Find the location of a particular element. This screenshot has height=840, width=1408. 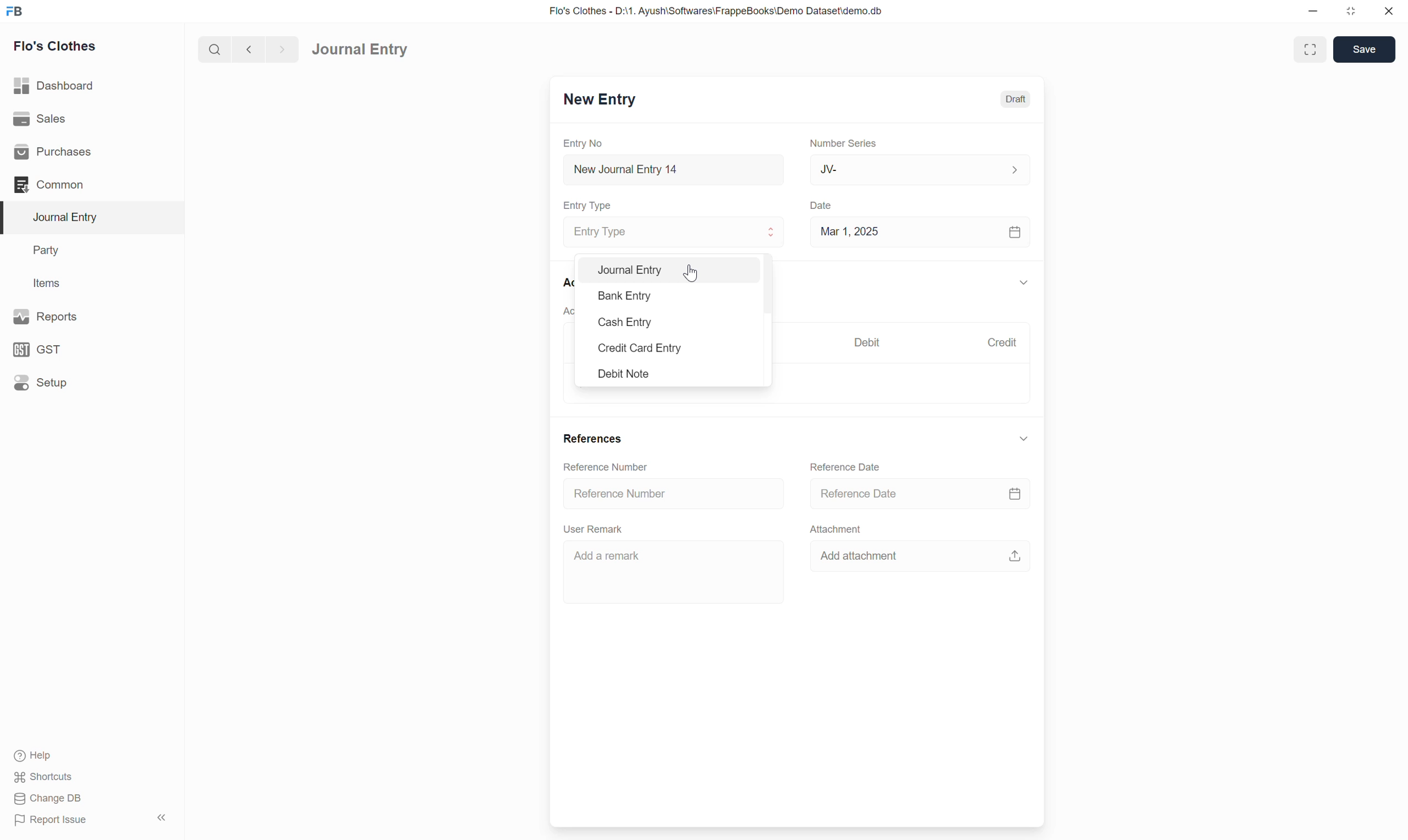

<< is located at coordinates (161, 818).